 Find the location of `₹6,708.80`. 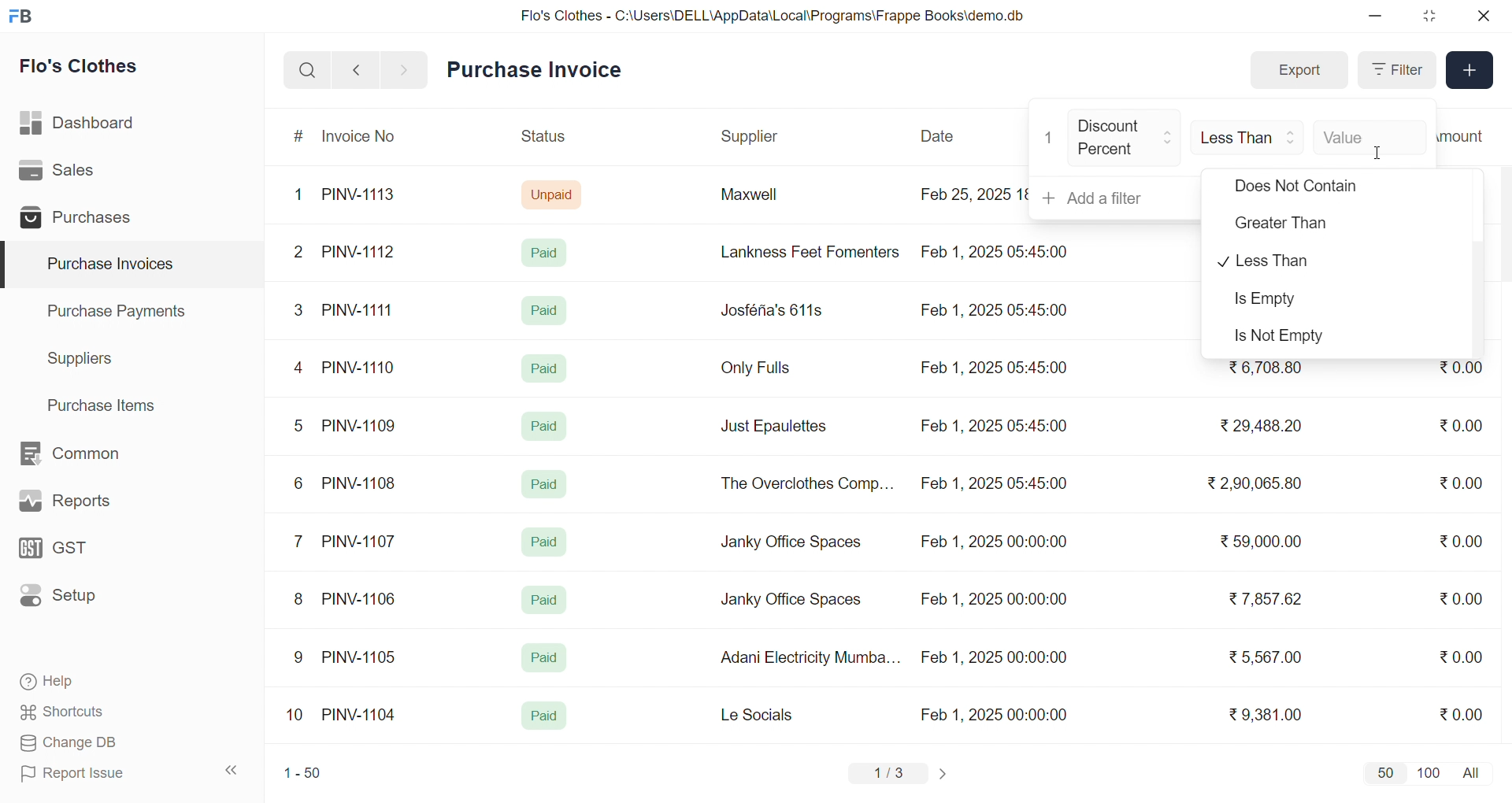

₹6,708.80 is located at coordinates (1265, 368).